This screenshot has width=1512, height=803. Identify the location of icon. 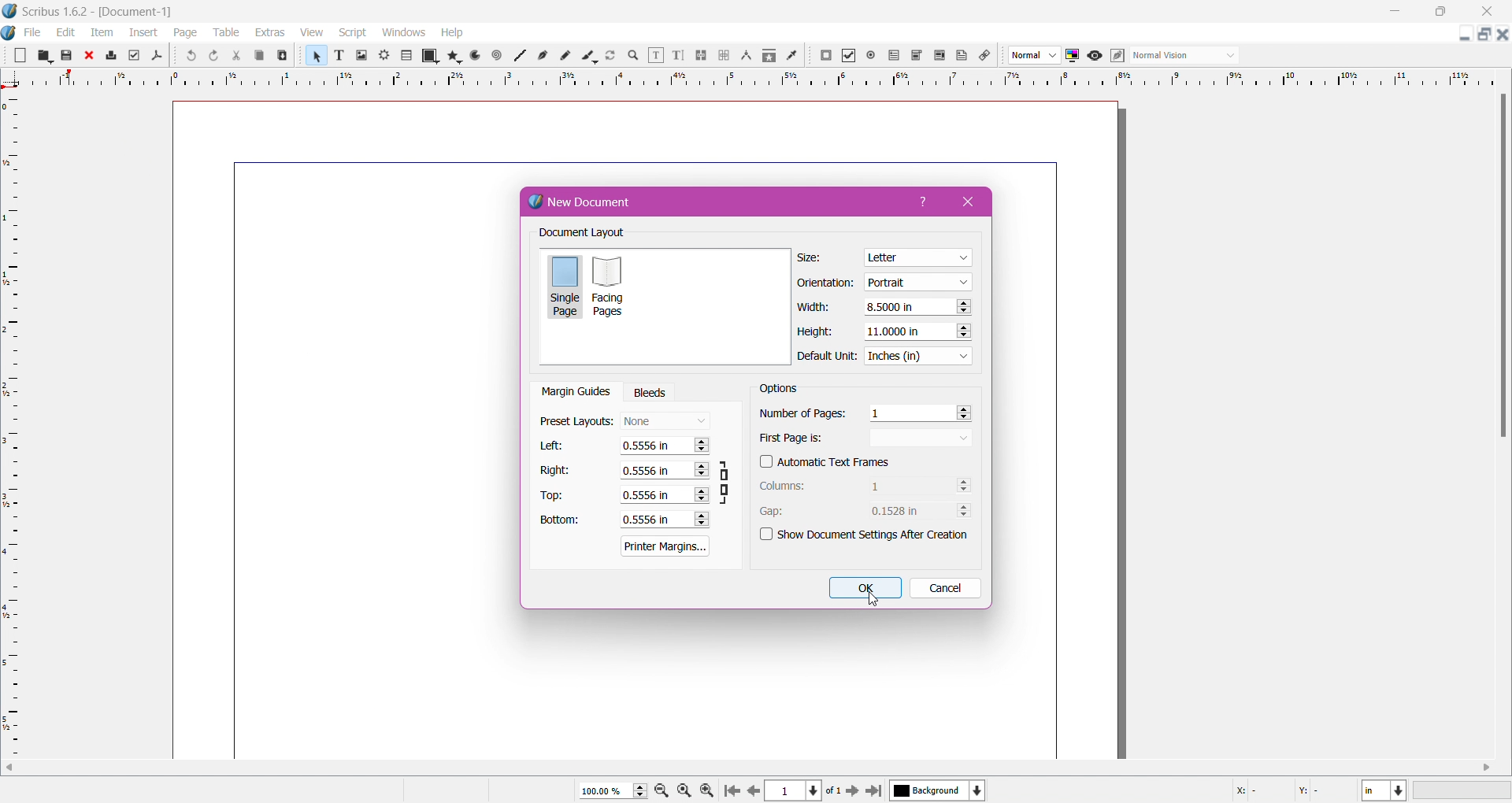
(159, 56).